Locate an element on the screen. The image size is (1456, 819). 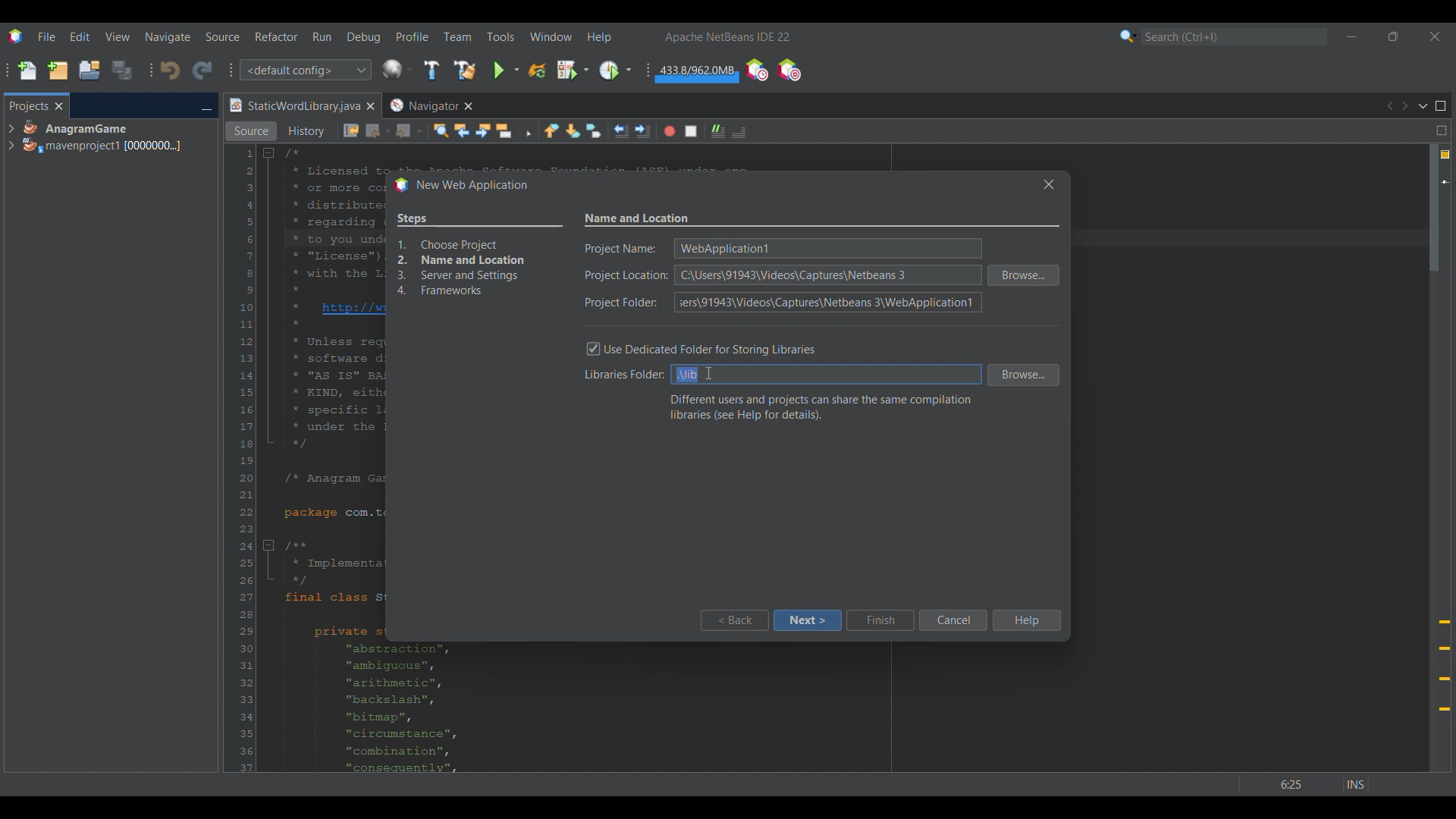
Forward is located at coordinates (409, 131).